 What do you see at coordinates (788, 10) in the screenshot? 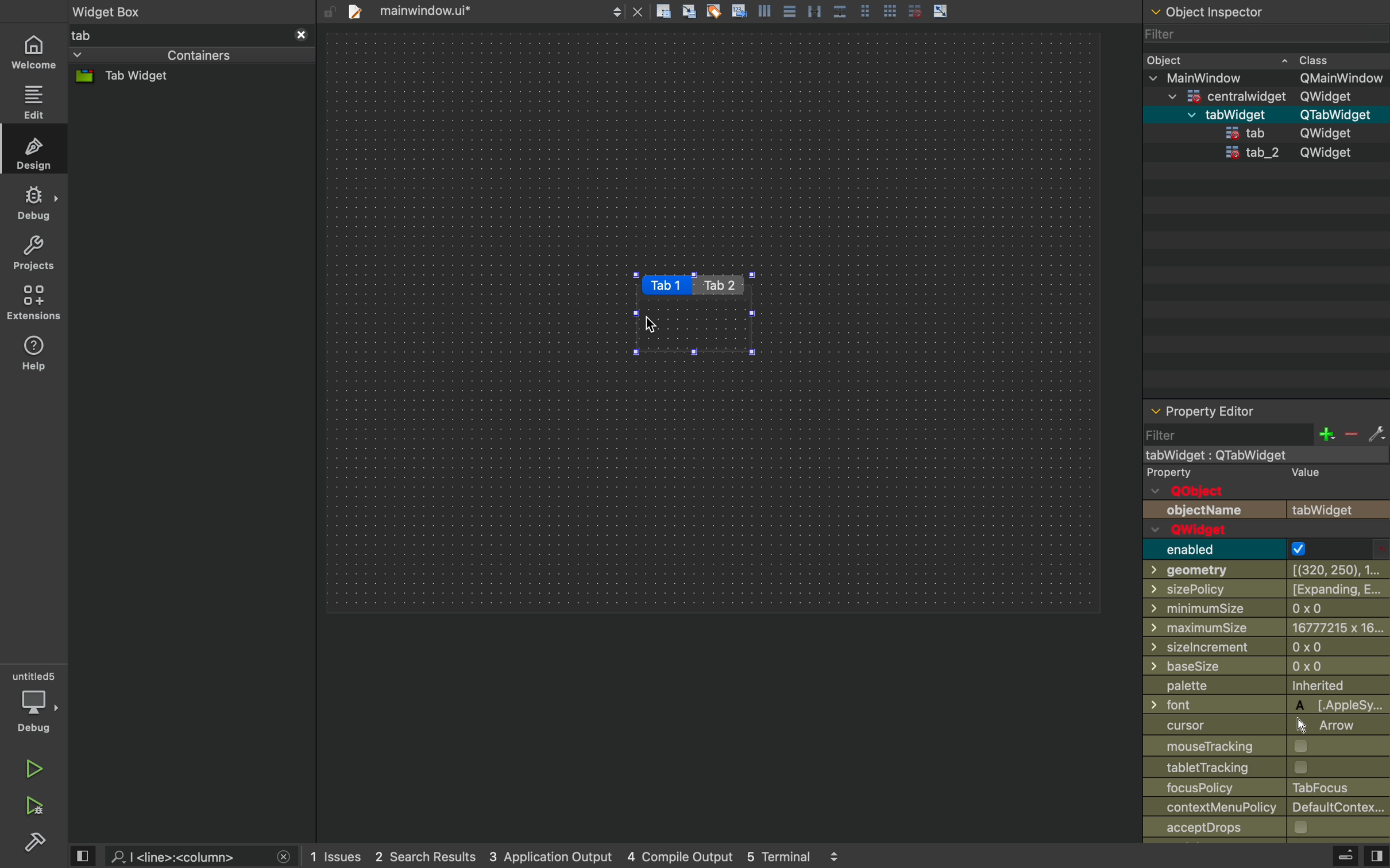
I see `align center` at bounding box center [788, 10].